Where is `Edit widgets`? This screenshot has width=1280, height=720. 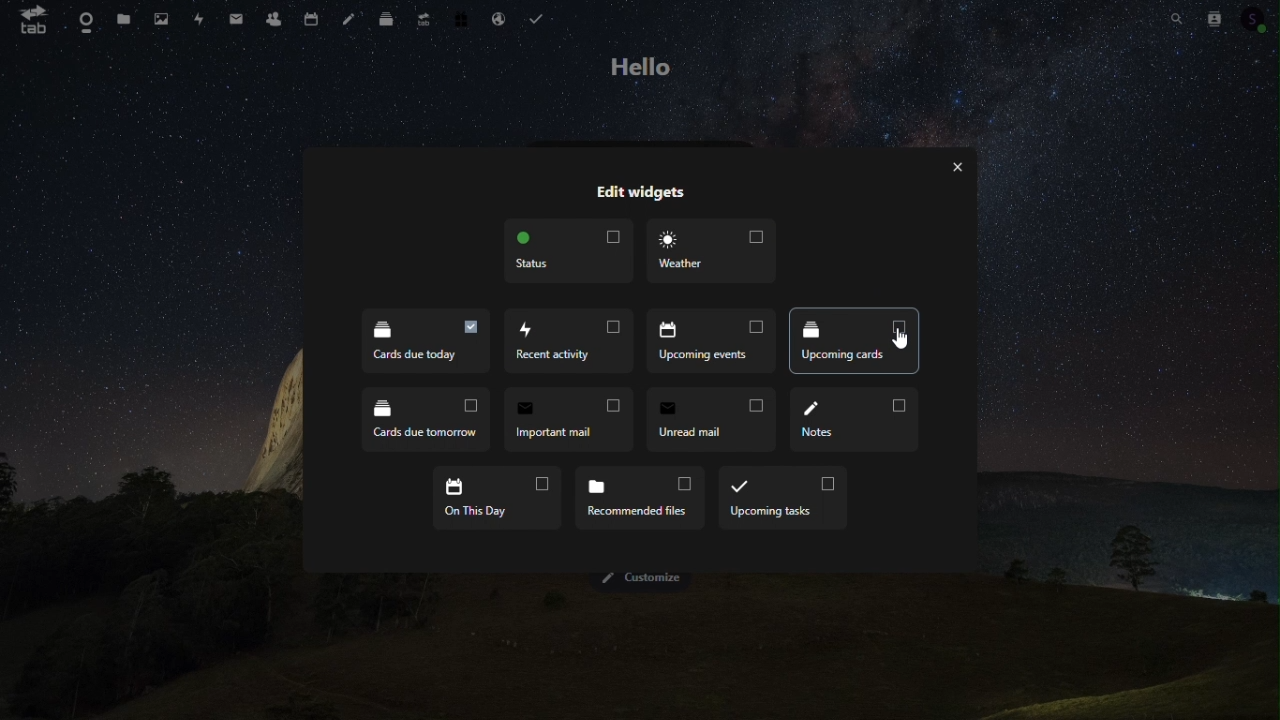 Edit widgets is located at coordinates (639, 194).